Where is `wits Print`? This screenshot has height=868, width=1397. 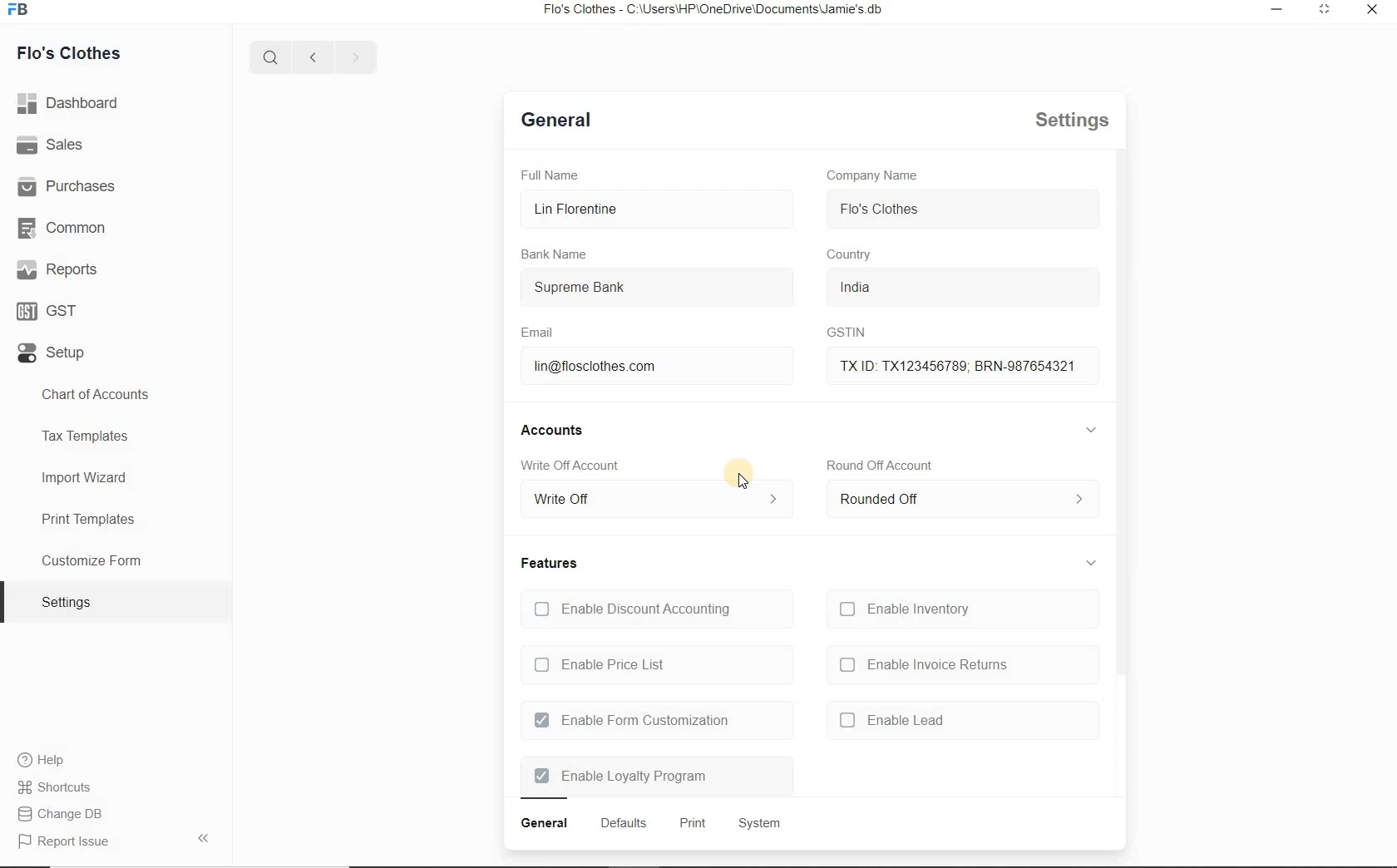 wits Print is located at coordinates (690, 822).